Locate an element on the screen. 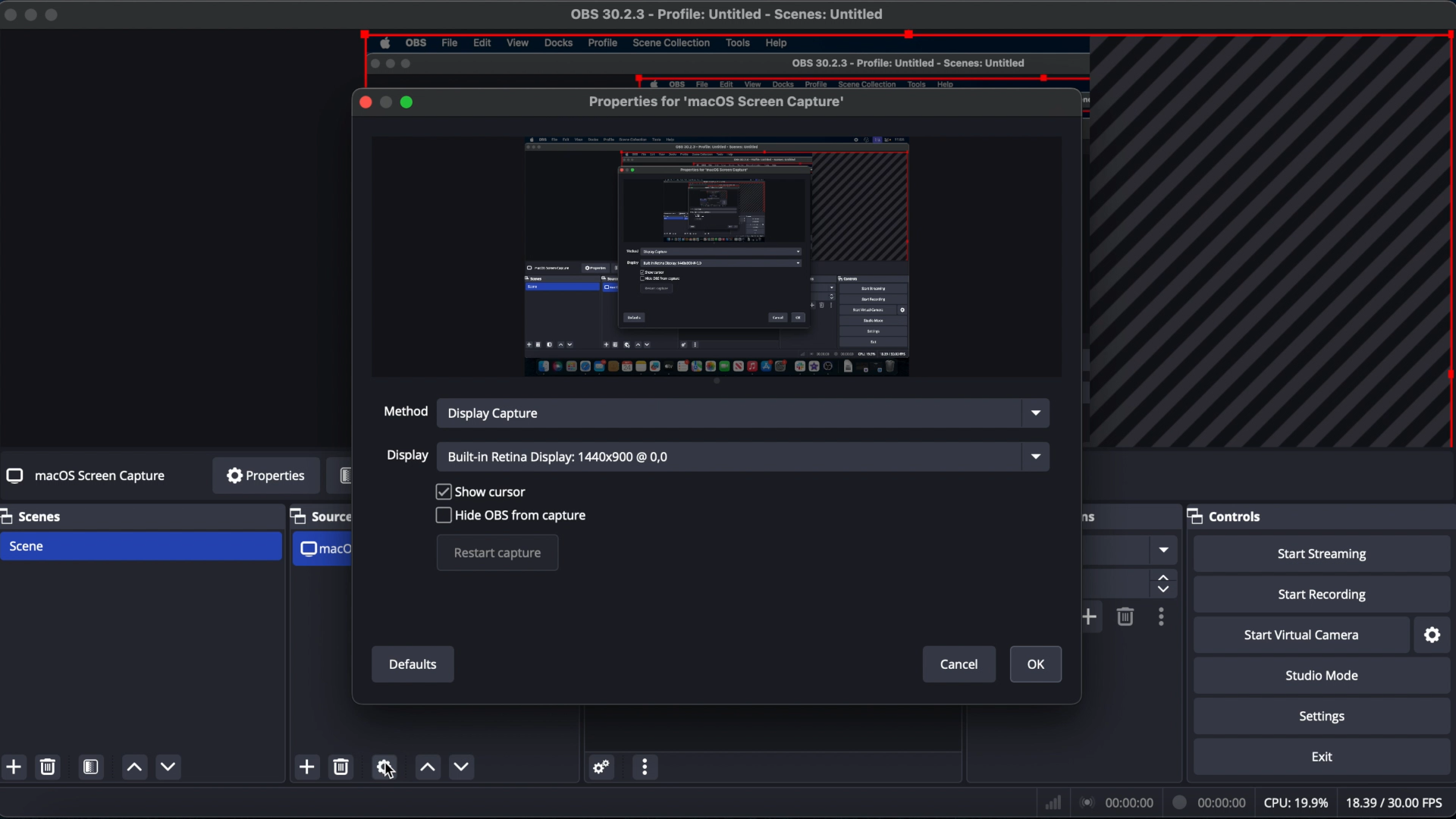 This screenshot has width=1456, height=819. settings is located at coordinates (1326, 717).